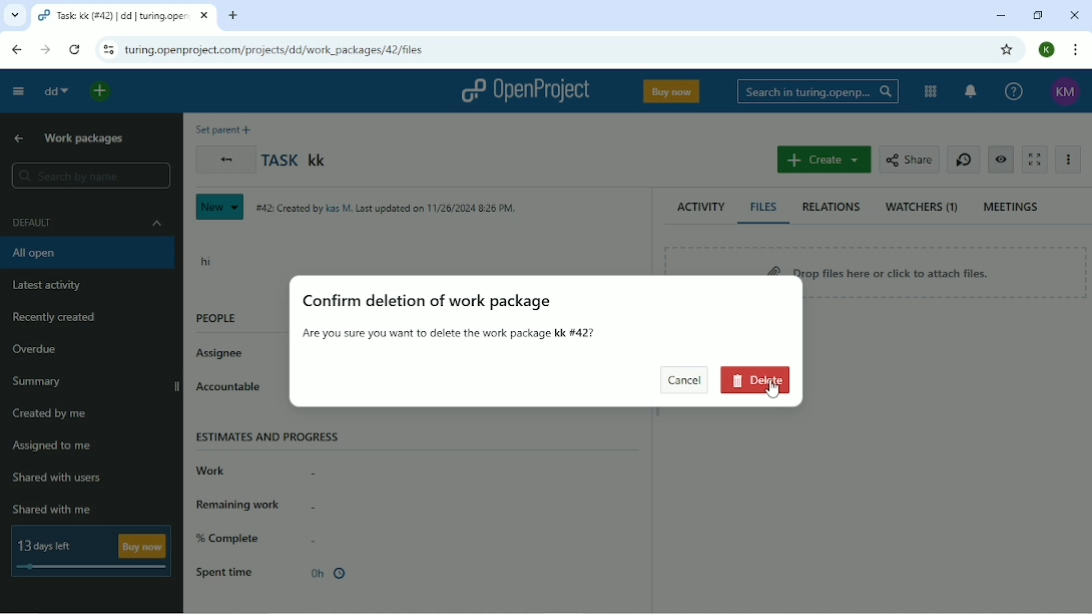  What do you see at coordinates (765, 208) in the screenshot?
I see `Files` at bounding box center [765, 208].